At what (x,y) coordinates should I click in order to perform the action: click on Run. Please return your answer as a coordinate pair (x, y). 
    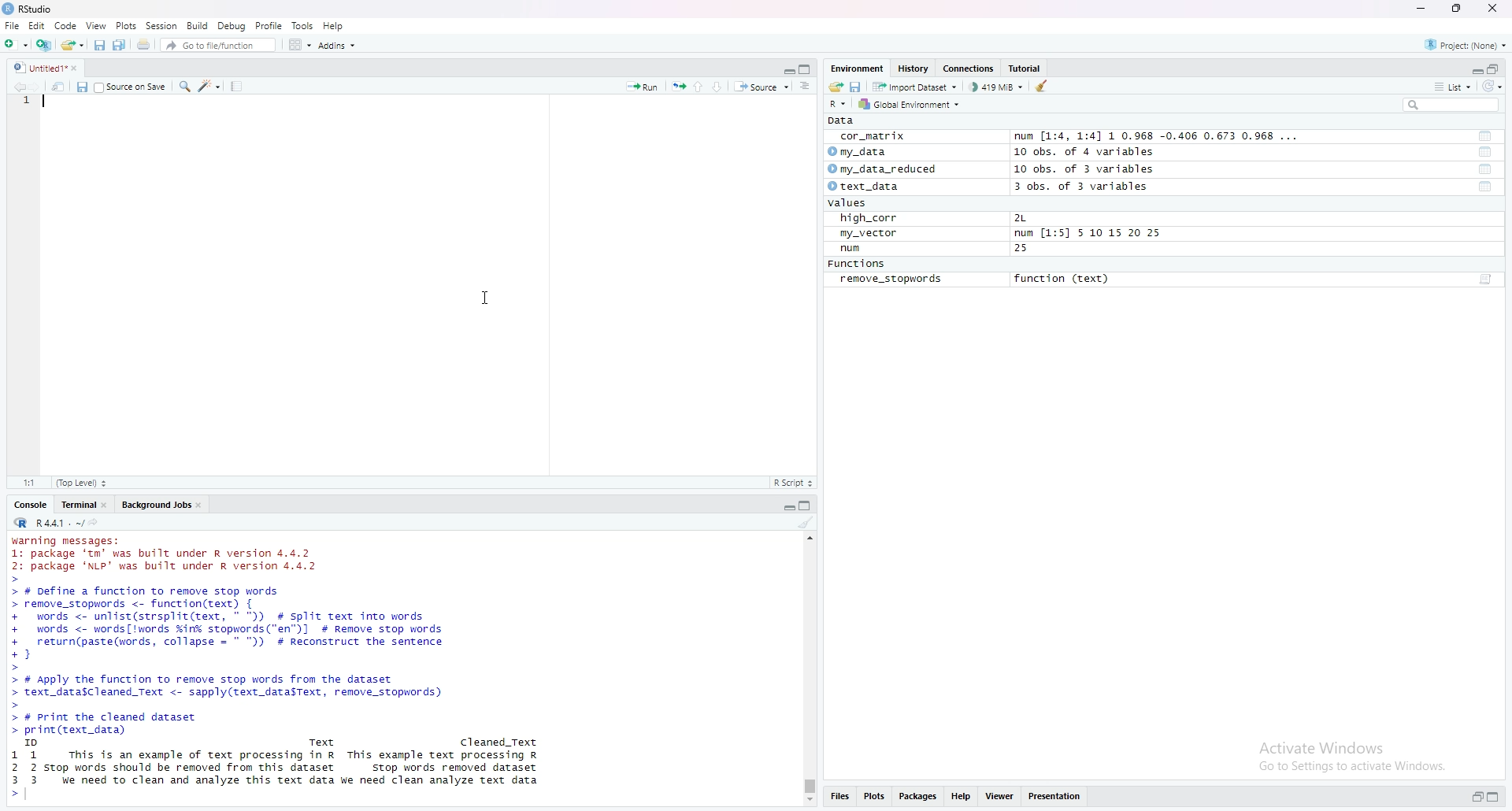
    Looking at the image, I should click on (644, 87).